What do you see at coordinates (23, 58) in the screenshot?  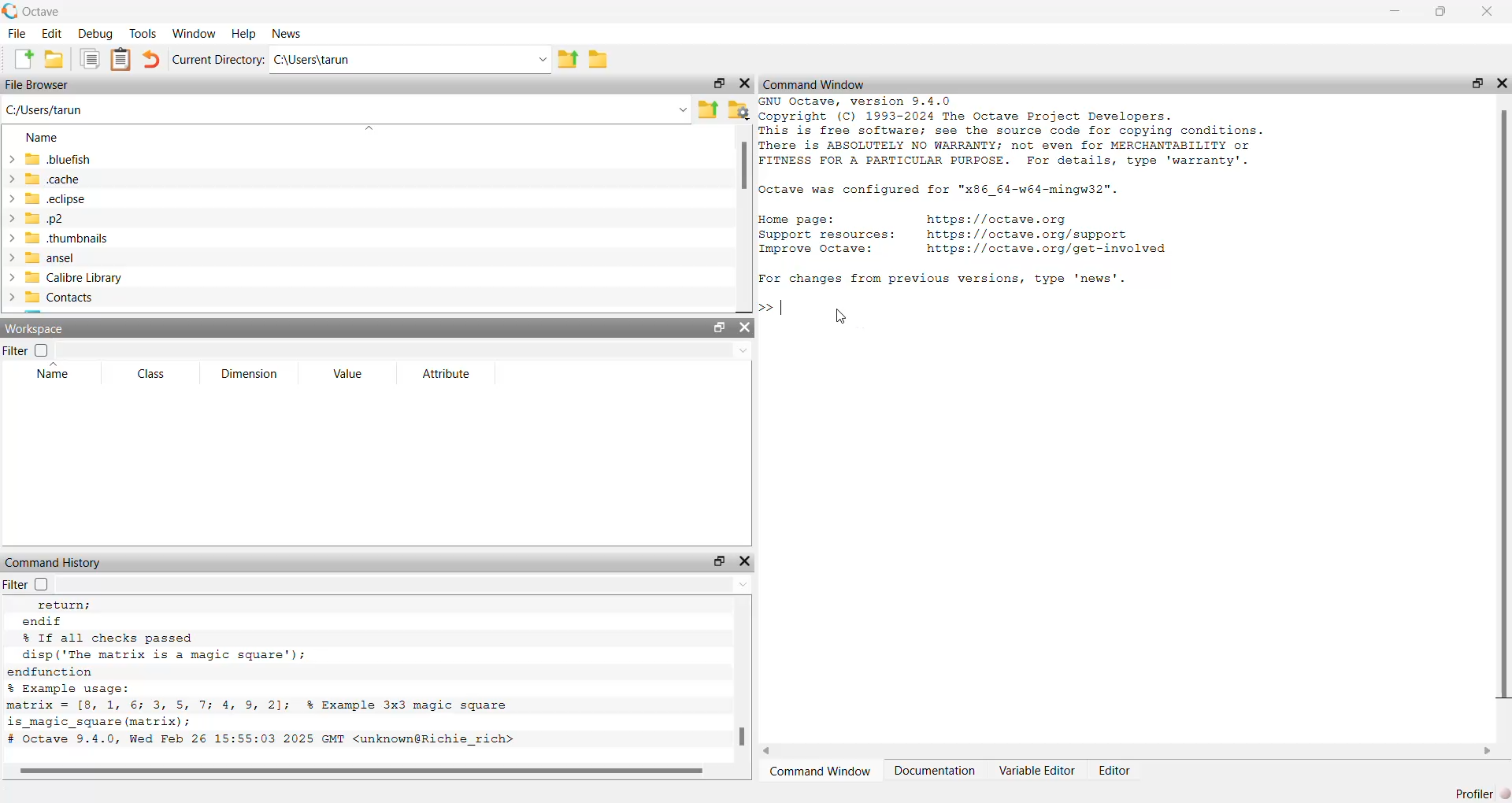 I see `New file` at bounding box center [23, 58].